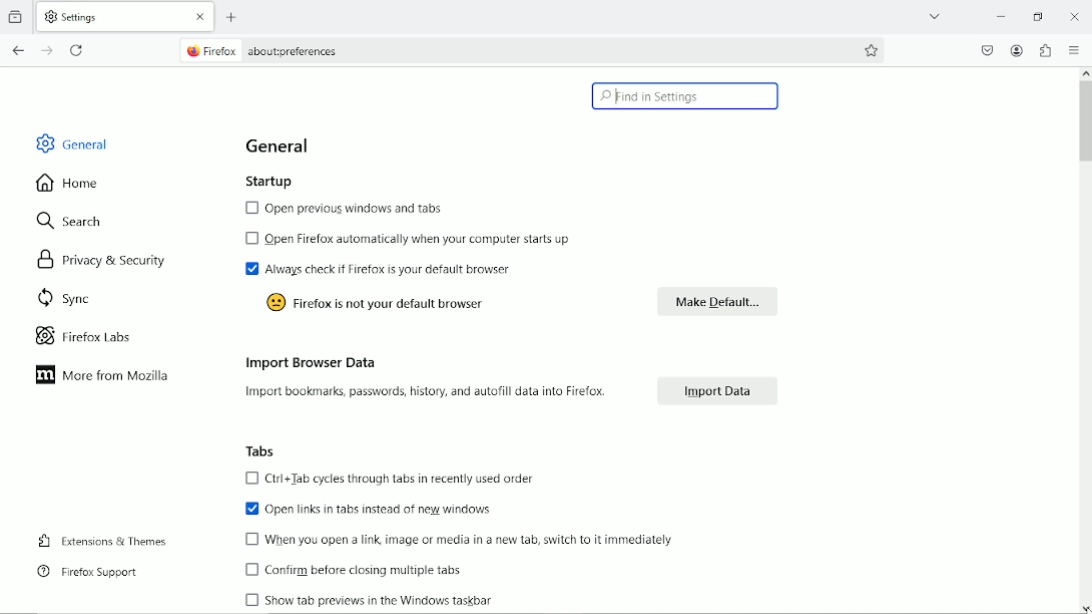  I want to click on Cursor, so click(1082, 609).